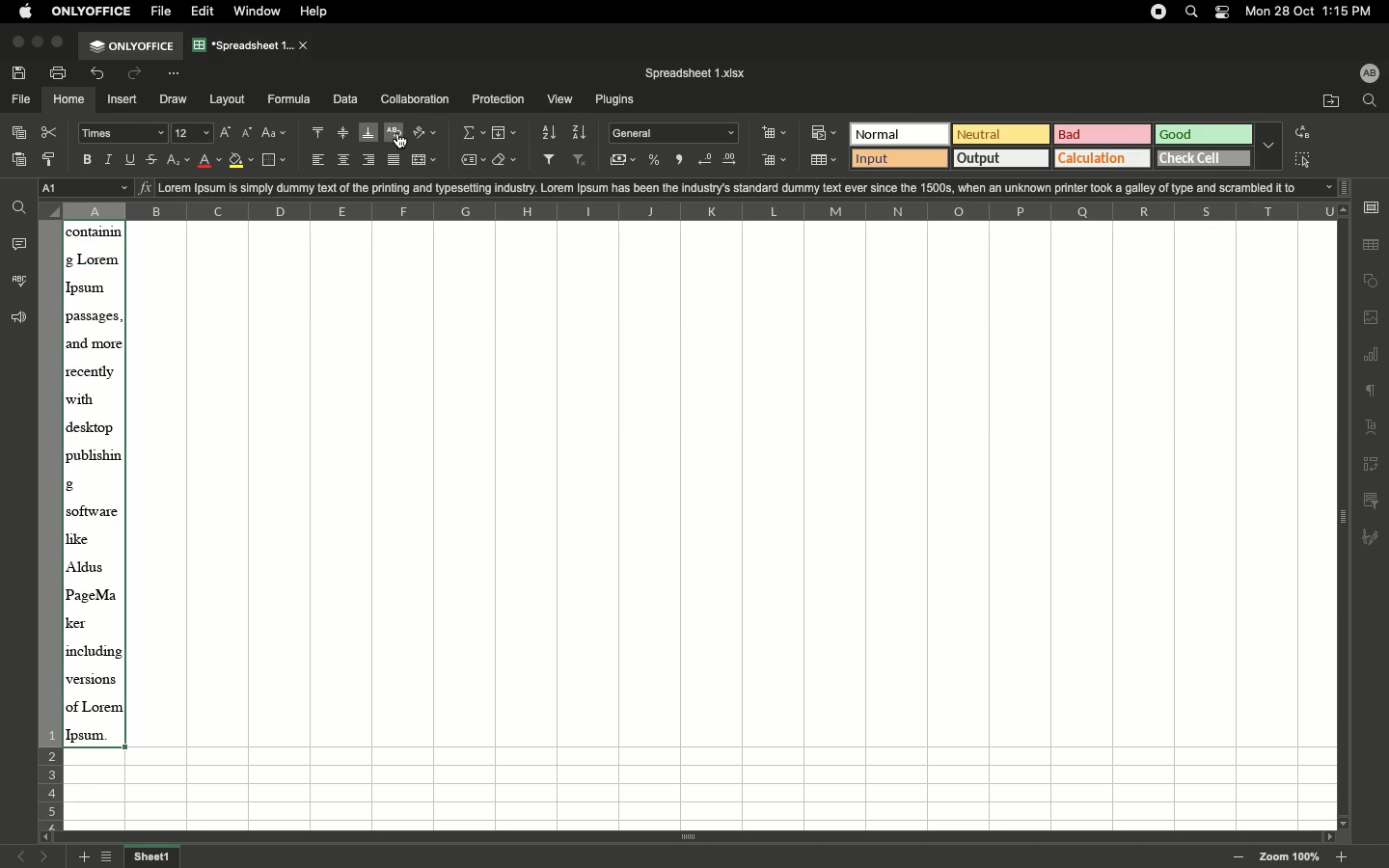 This screenshot has width=1389, height=868. Describe the element at coordinates (624, 162) in the screenshot. I see `Accounting style` at that location.